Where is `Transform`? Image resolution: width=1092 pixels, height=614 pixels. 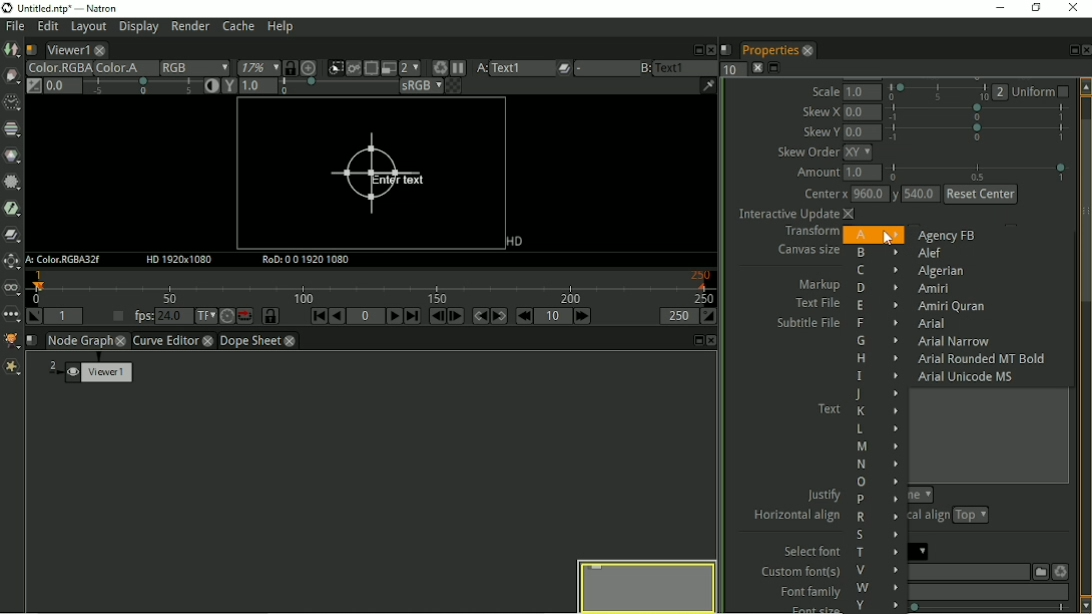 Transform is located at coordinates (808, 233).